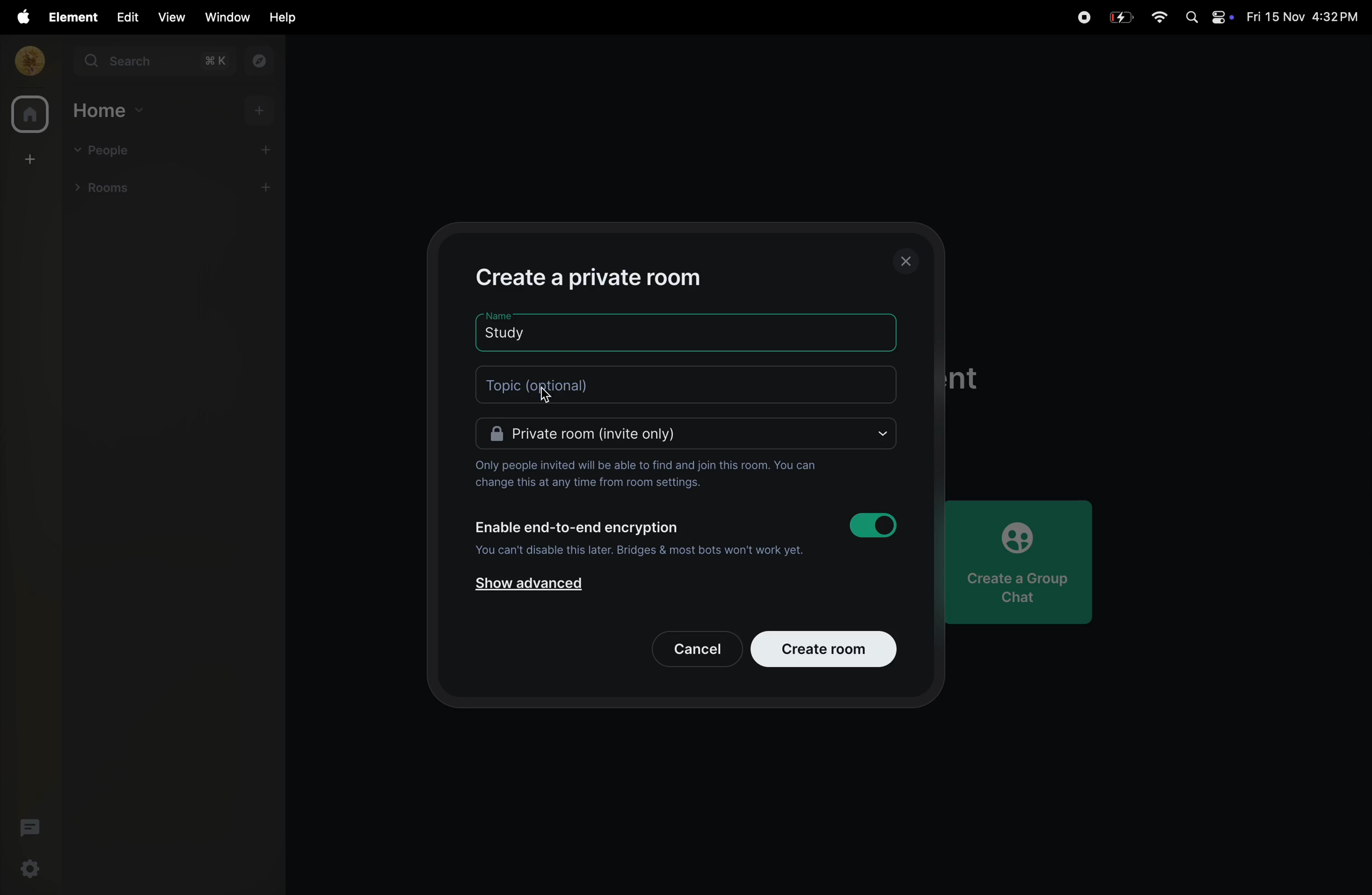 The width and height of the screenshot is (1372, 895). I want to click on help, so click(279, 18).